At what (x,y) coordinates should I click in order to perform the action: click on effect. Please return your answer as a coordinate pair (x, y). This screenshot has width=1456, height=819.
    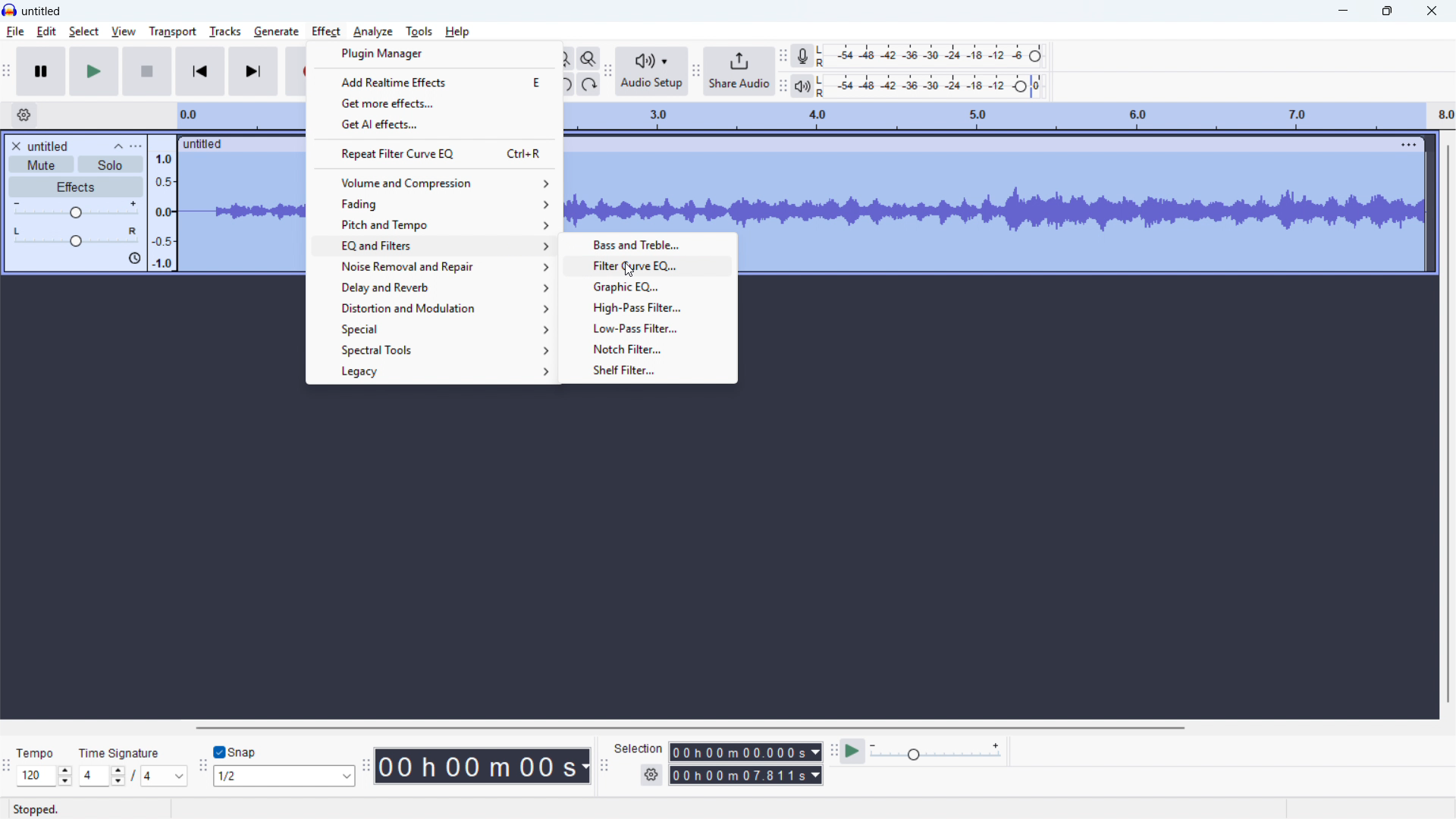
    Looking at the image, I should click on (327, 31).